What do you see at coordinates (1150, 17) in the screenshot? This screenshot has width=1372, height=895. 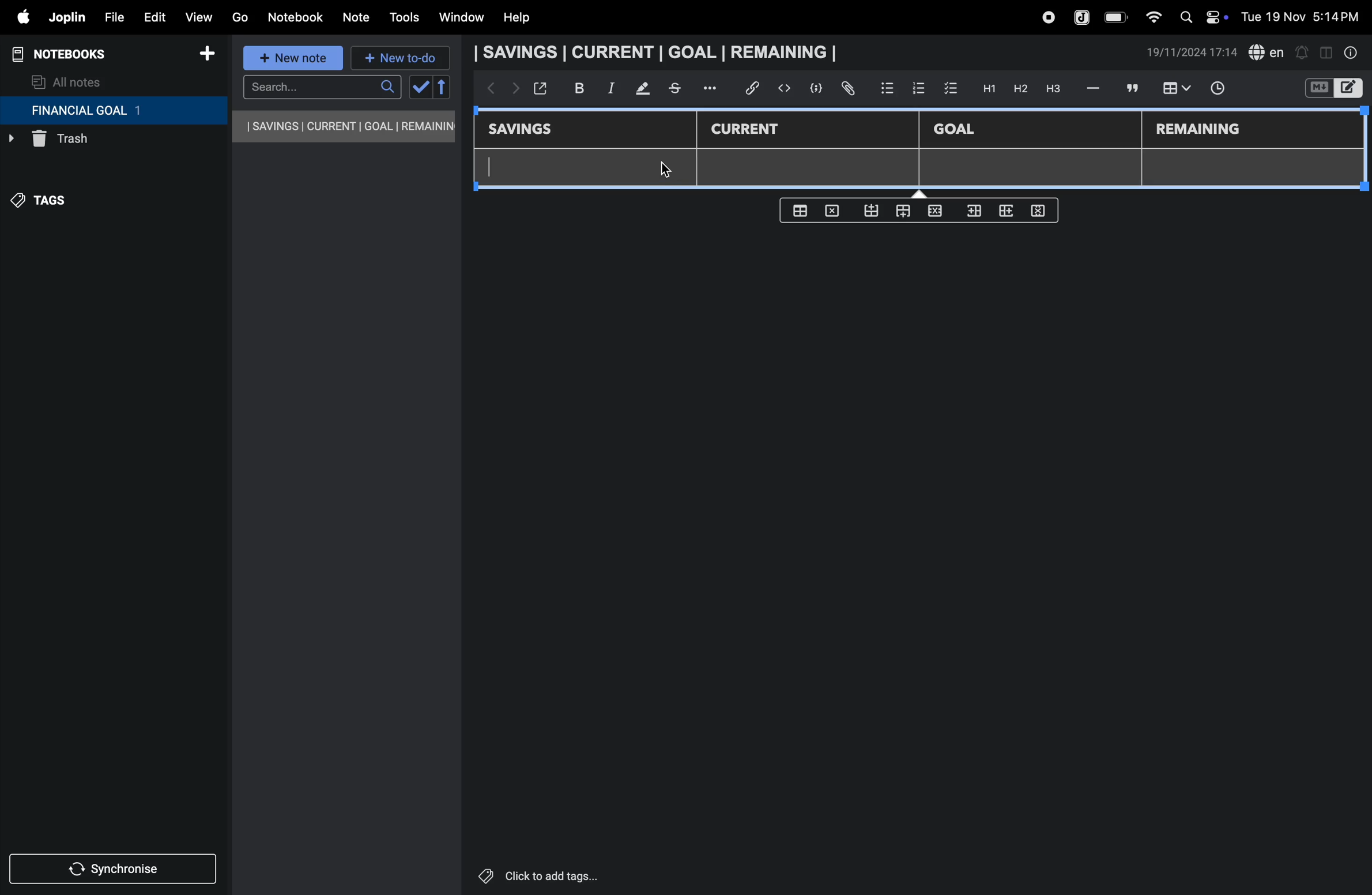 I see `wifi` at bounding box center [1150, 17].